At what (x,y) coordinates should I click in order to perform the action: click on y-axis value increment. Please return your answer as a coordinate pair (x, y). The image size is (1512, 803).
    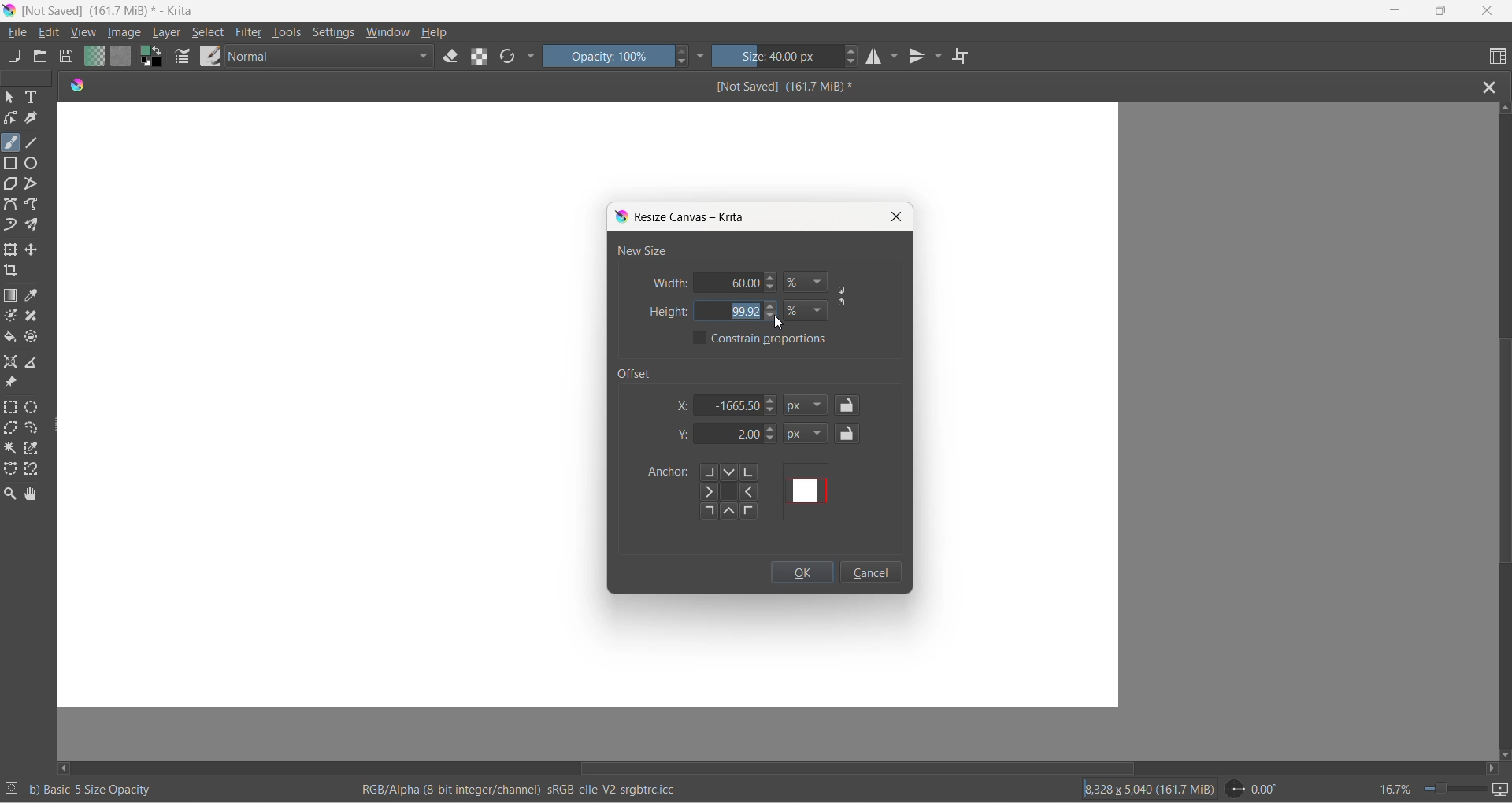
    Looking at the image, I should click on (773, 430).